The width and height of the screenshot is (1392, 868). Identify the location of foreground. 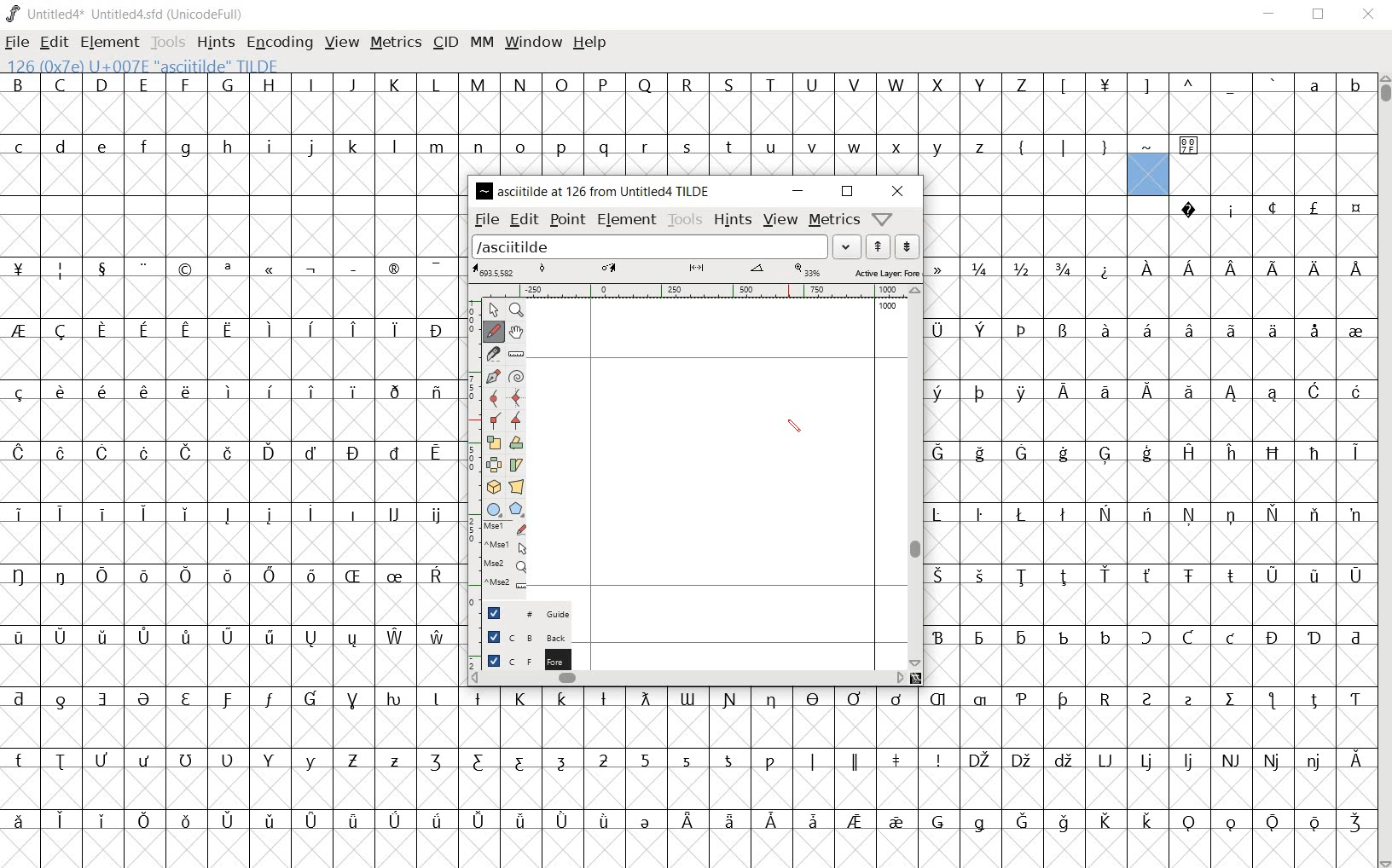
(519, 659).